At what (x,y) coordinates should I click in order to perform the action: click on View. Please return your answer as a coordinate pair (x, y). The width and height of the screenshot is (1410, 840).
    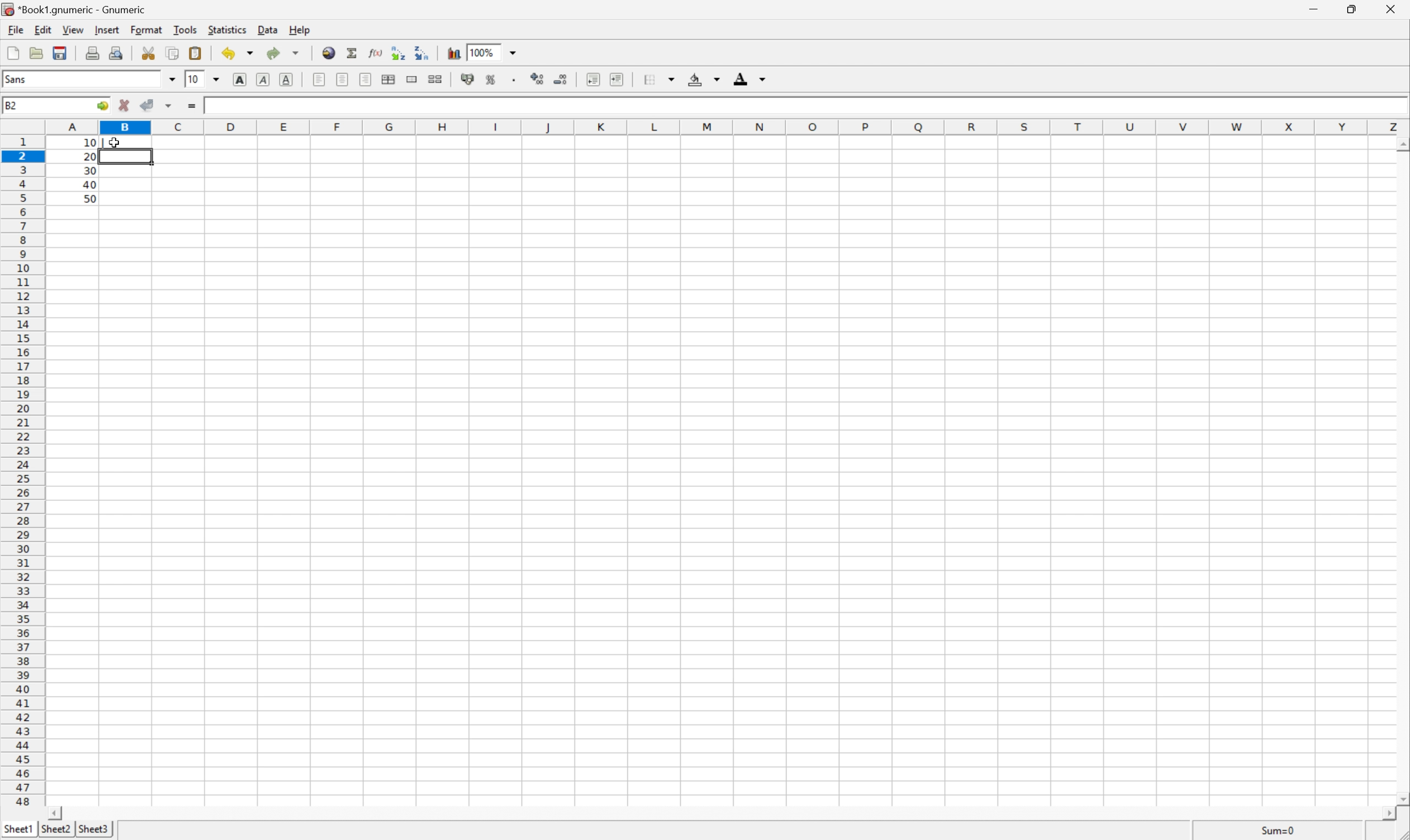
    Looking at the image, I should click on (72, 29).